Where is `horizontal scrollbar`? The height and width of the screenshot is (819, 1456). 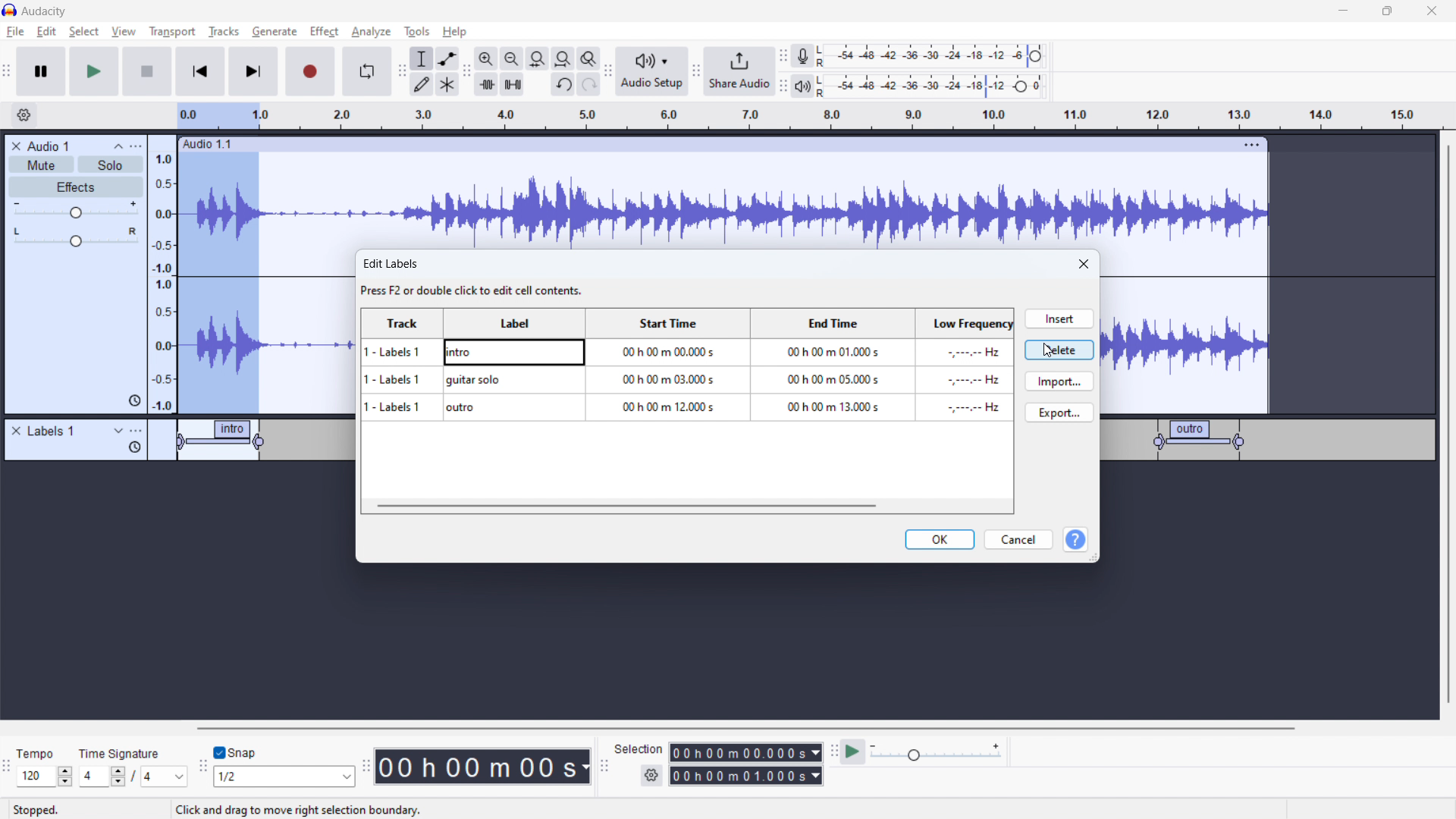
horizontal scrollbar is located at coordinates (748, 728).